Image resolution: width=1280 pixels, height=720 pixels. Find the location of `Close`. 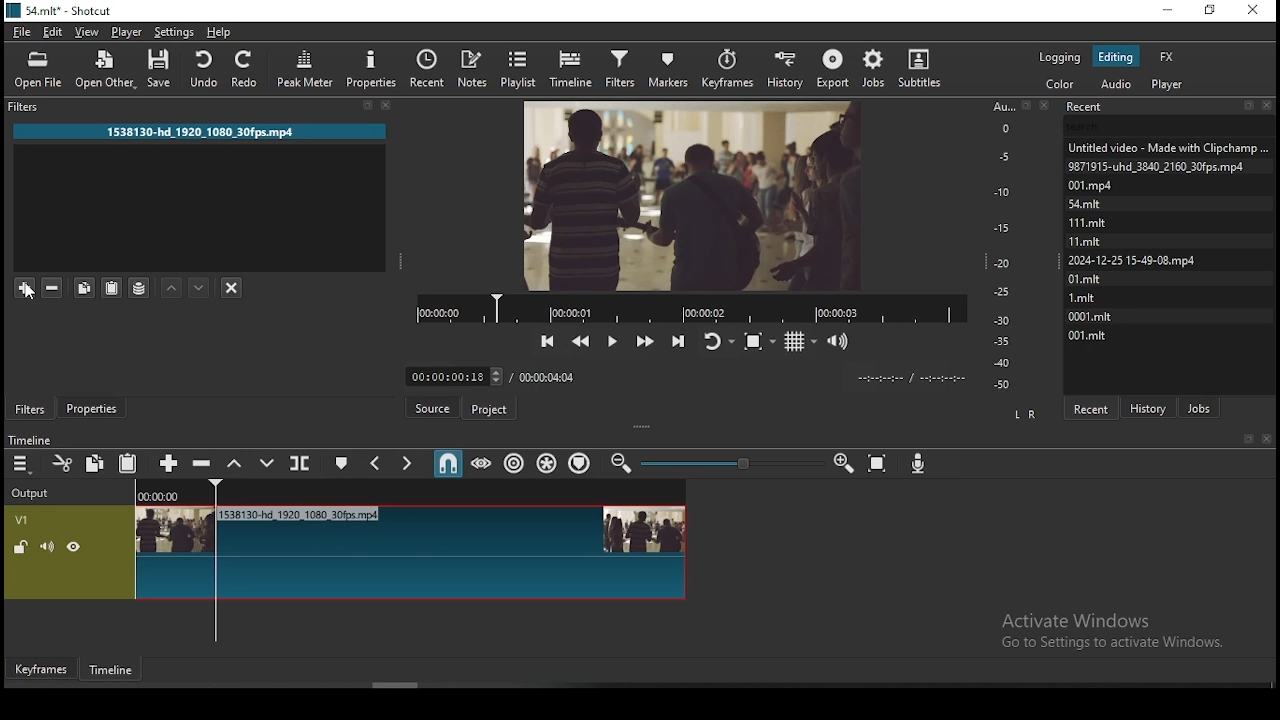

Close is located at coordinates (1270, 439).